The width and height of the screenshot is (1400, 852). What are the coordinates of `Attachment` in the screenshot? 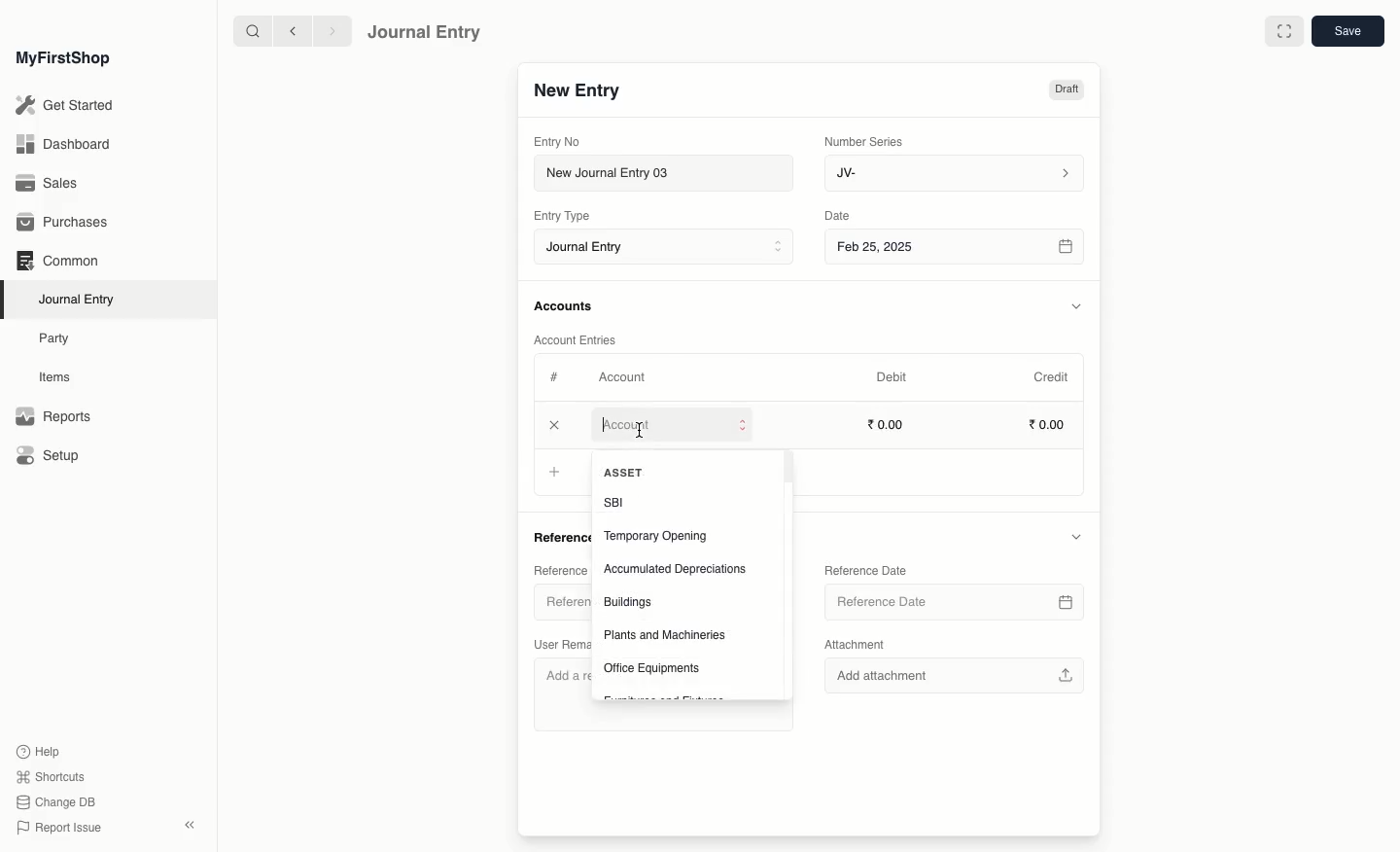 It's located at (855, 644).